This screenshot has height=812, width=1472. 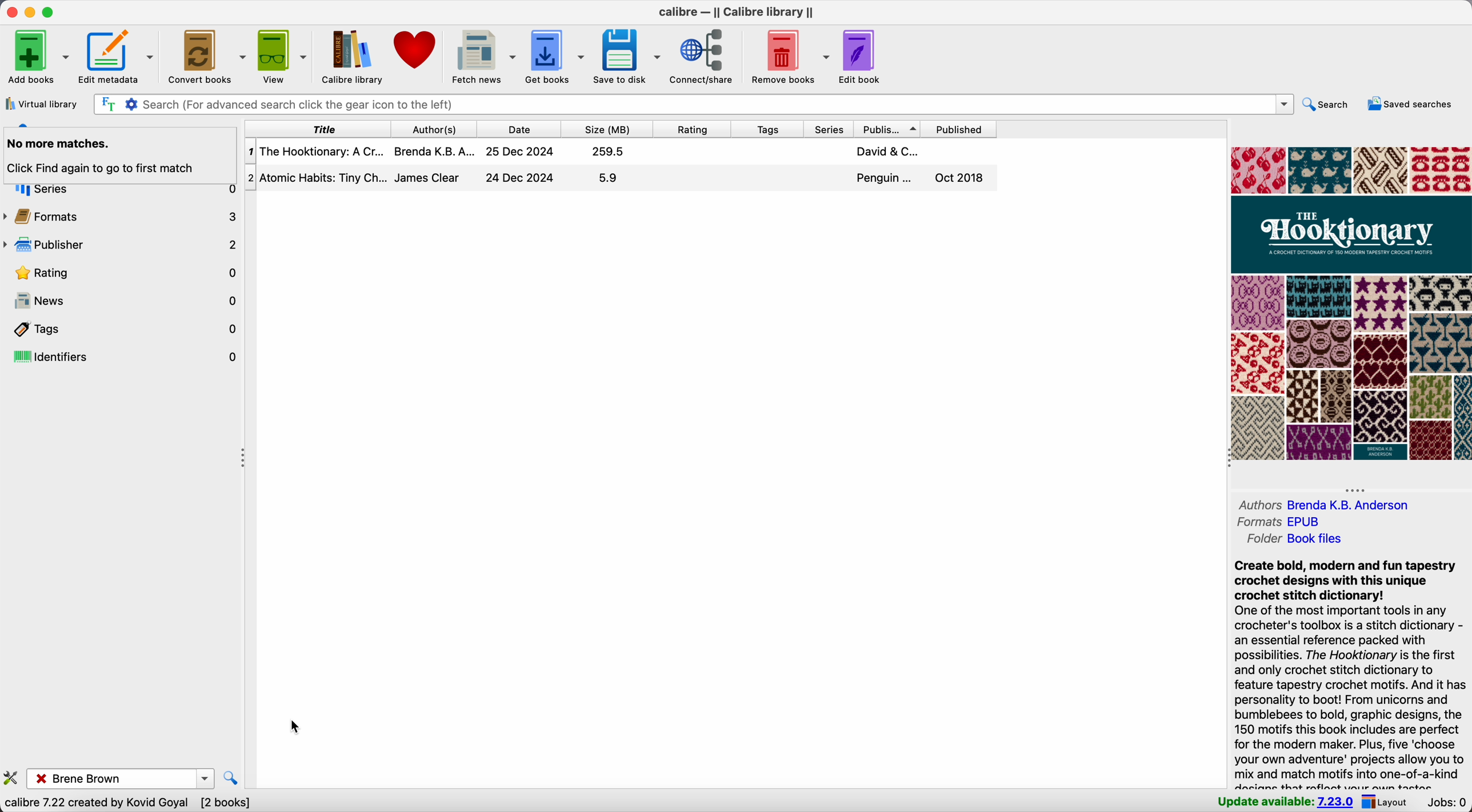 I want to click on authors icon, so click(x=26, y=125).